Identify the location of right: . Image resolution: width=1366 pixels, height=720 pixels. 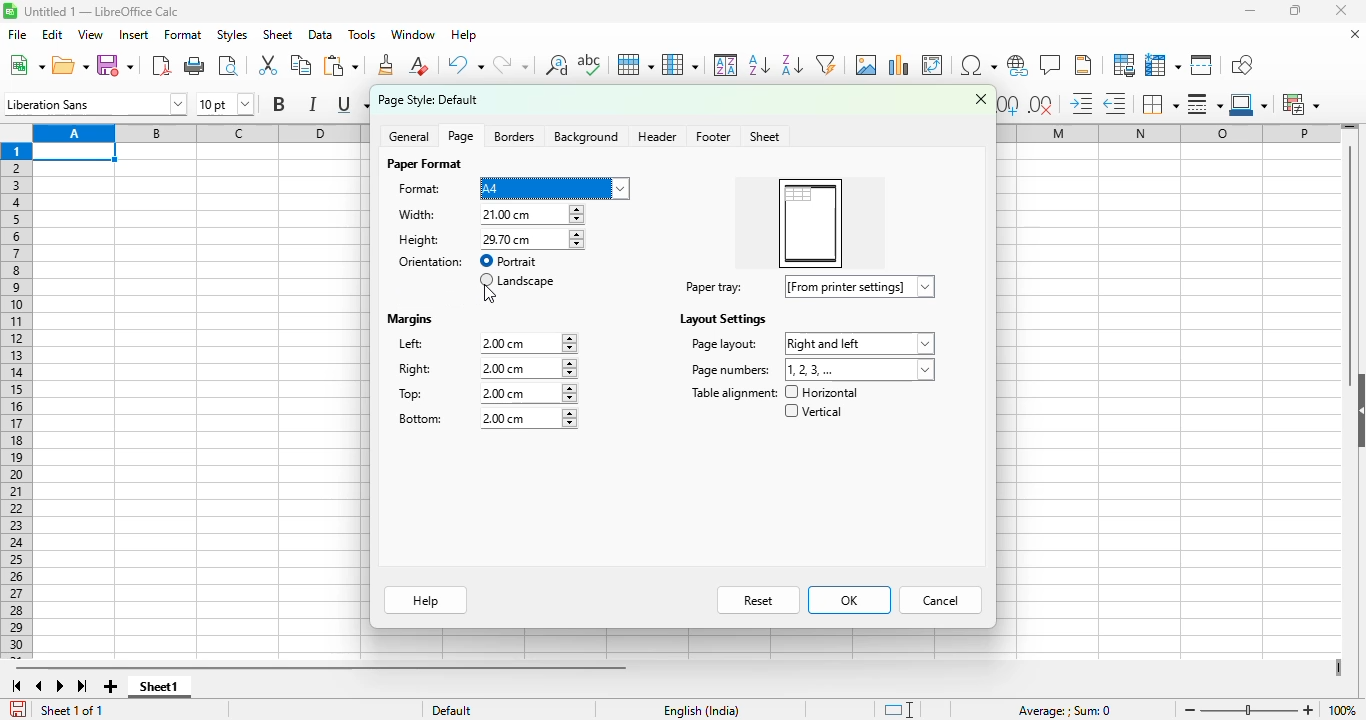
(416, 369).